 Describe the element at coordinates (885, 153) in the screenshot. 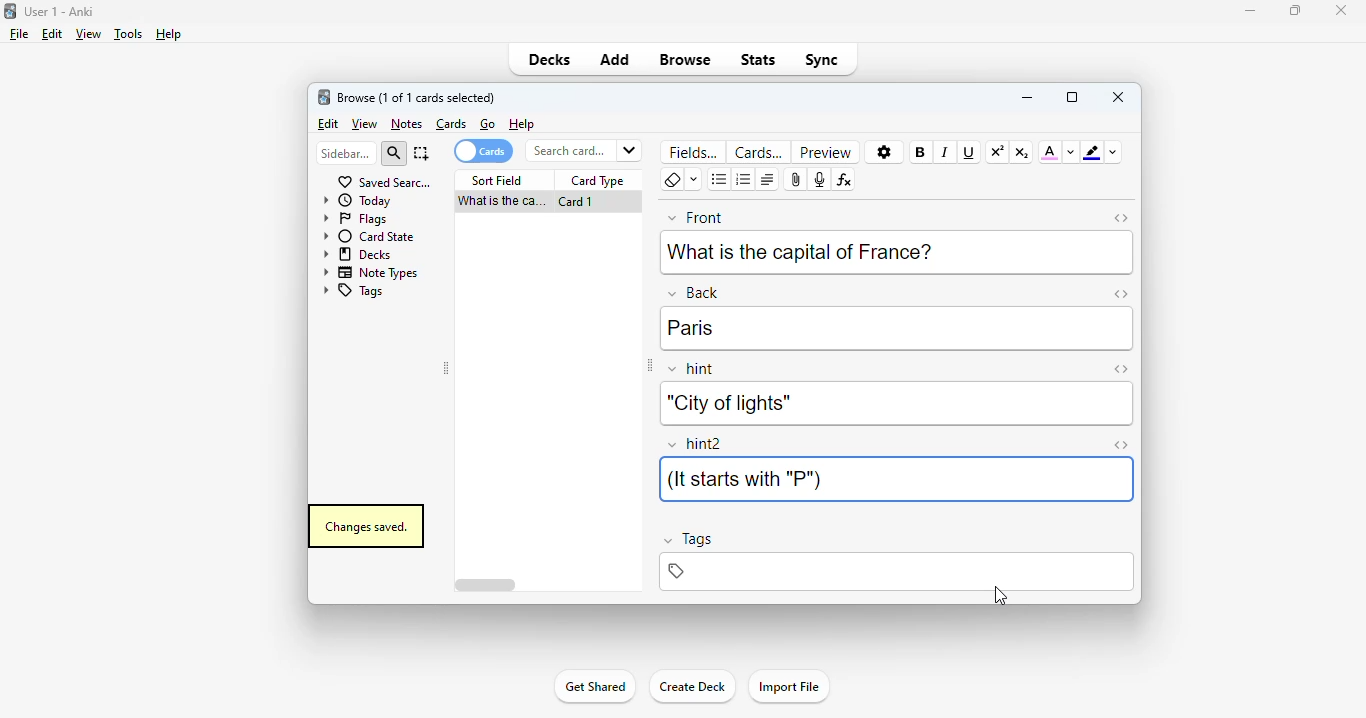

I see `options` at that location.